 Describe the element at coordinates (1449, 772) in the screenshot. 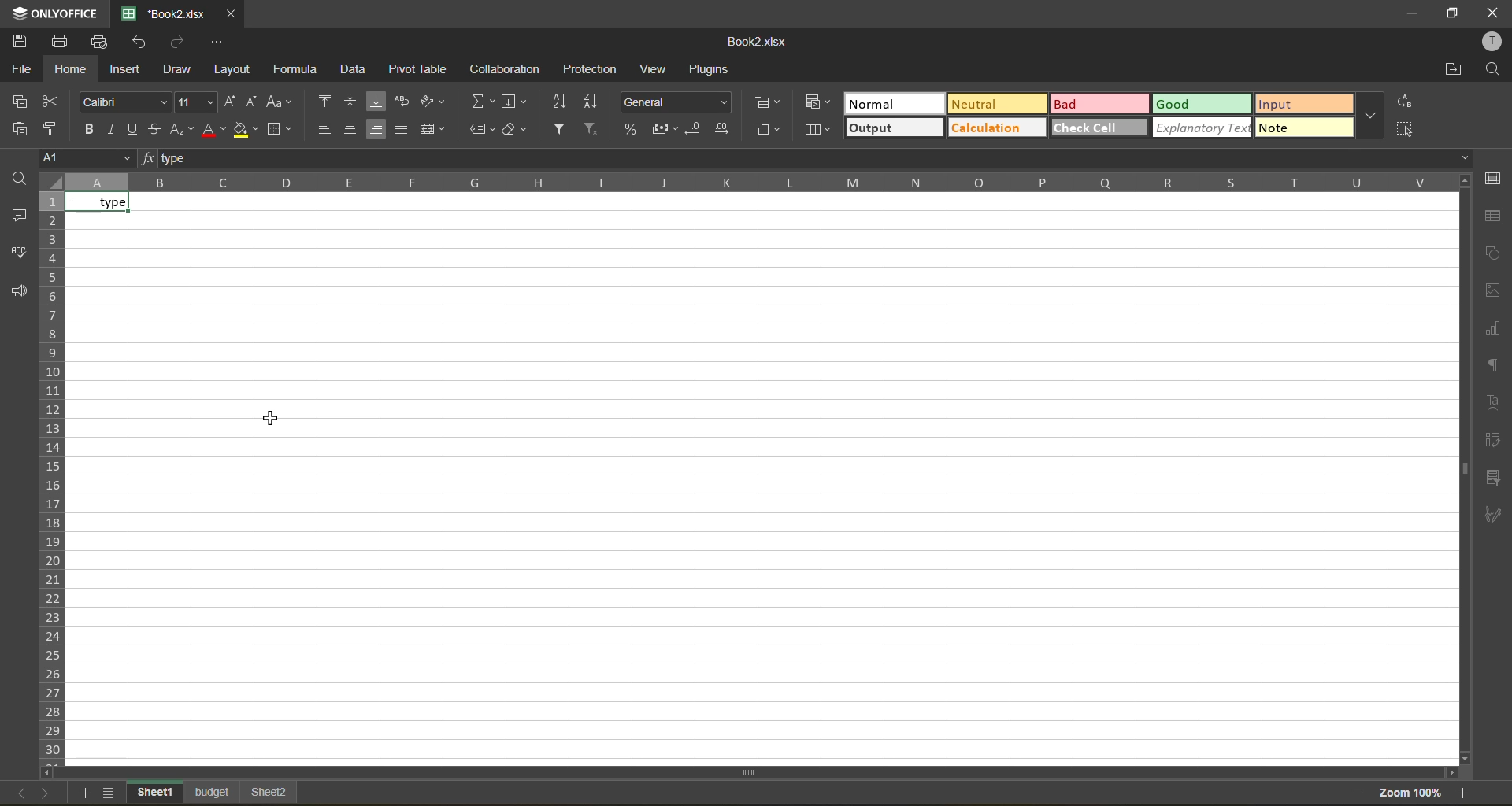

I see `move right` at that location.